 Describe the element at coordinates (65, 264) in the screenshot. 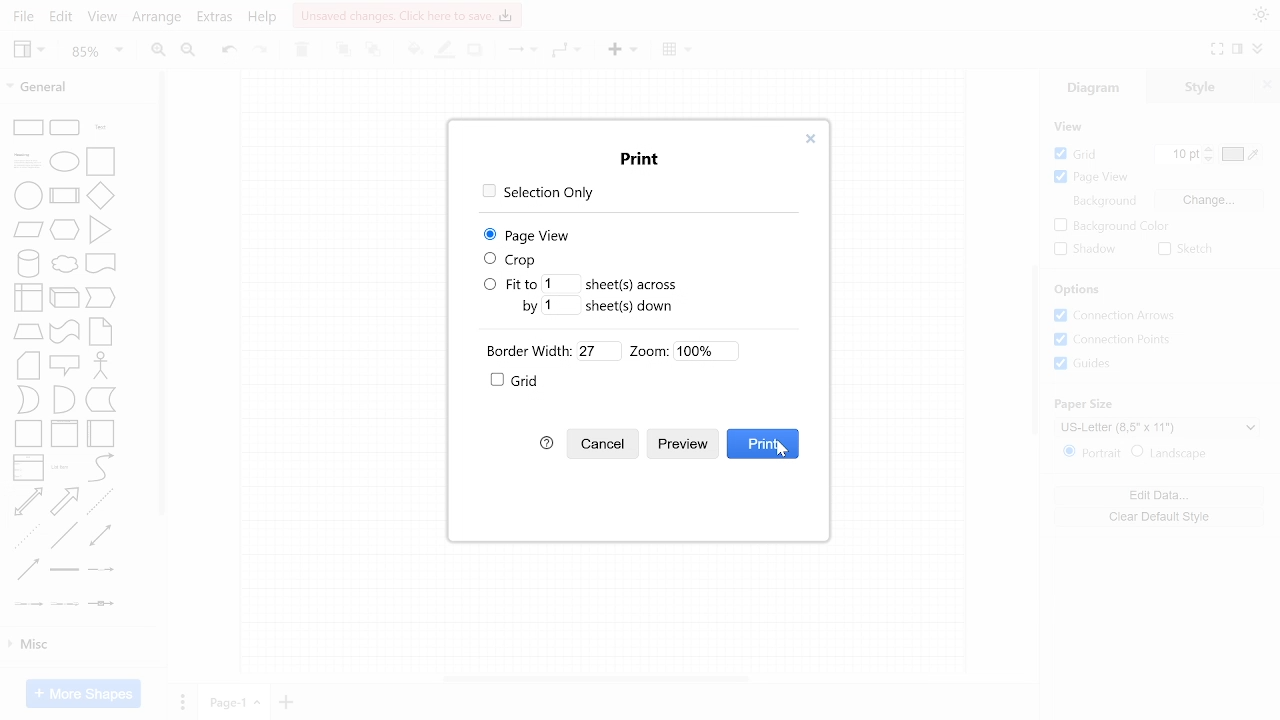

I see `Cloud` at that location.